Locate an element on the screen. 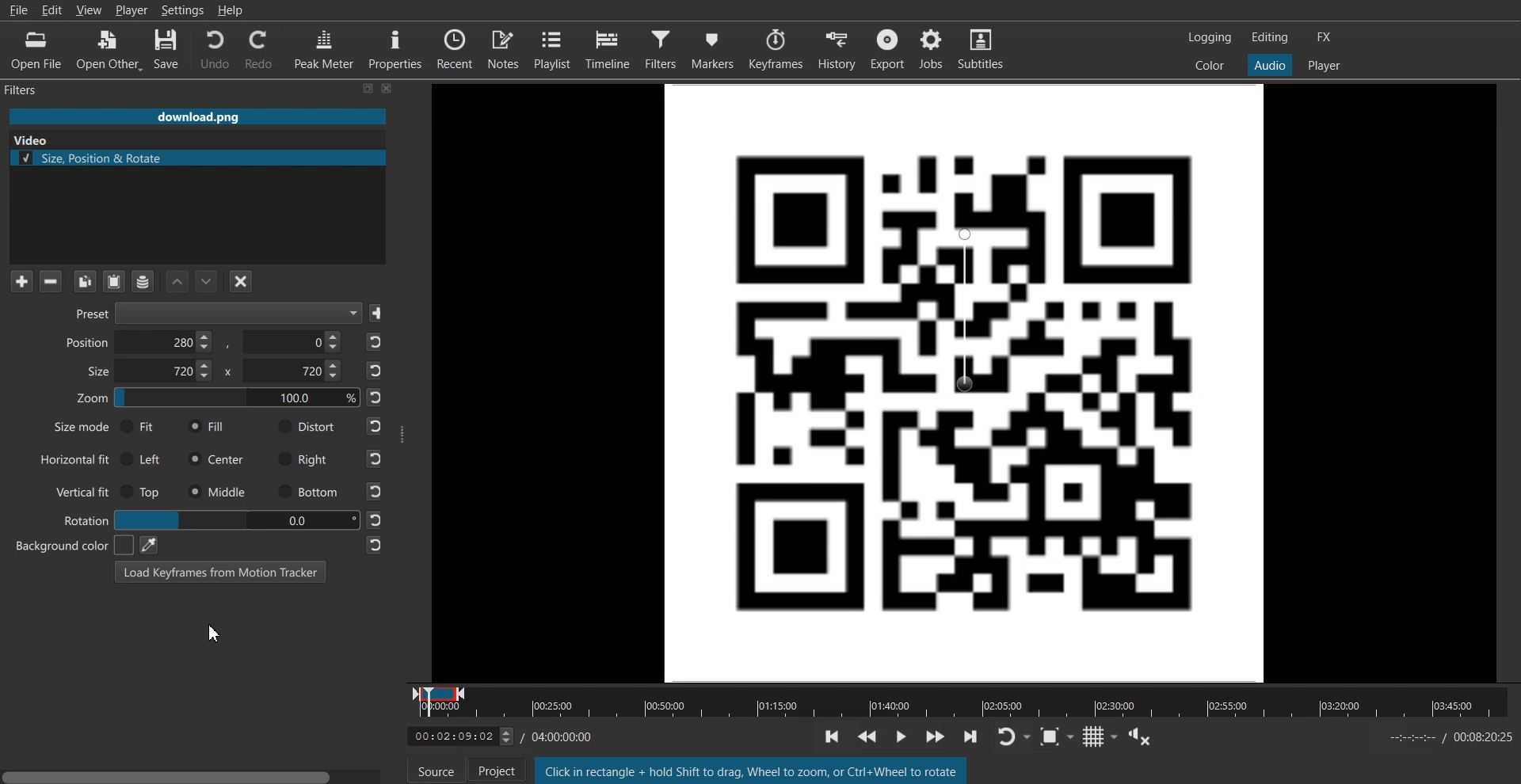 The image size is (1521, 784). Text 2 is located at coordinates (29, 140).